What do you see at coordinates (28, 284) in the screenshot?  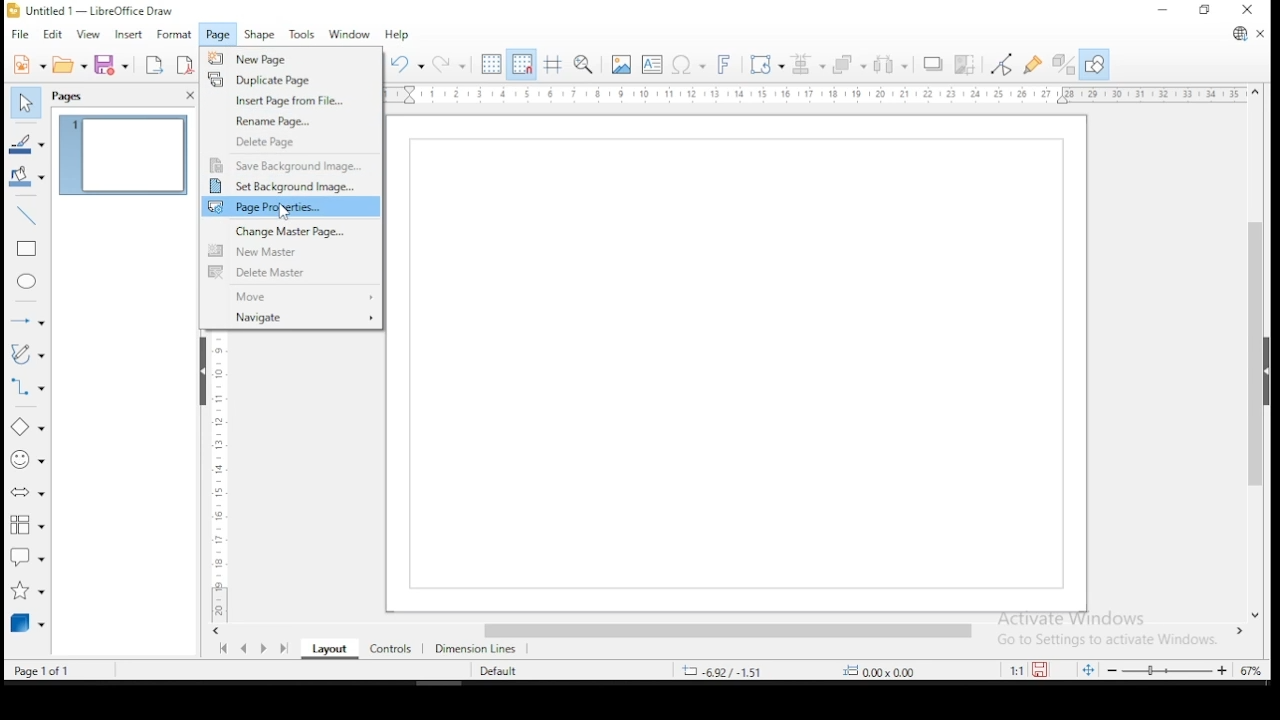 I see `ellipse` at bounding box center [28, 284].